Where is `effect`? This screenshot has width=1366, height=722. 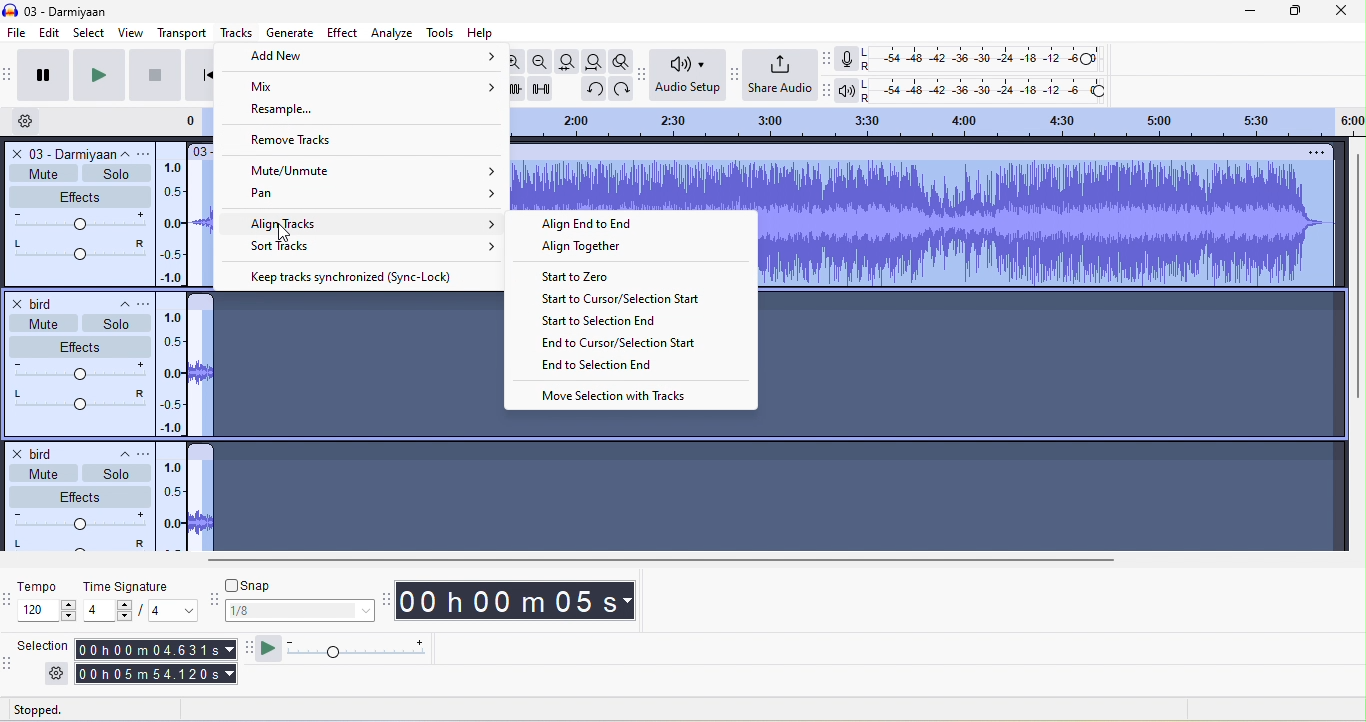
effect is located at coordinates (78, 196).